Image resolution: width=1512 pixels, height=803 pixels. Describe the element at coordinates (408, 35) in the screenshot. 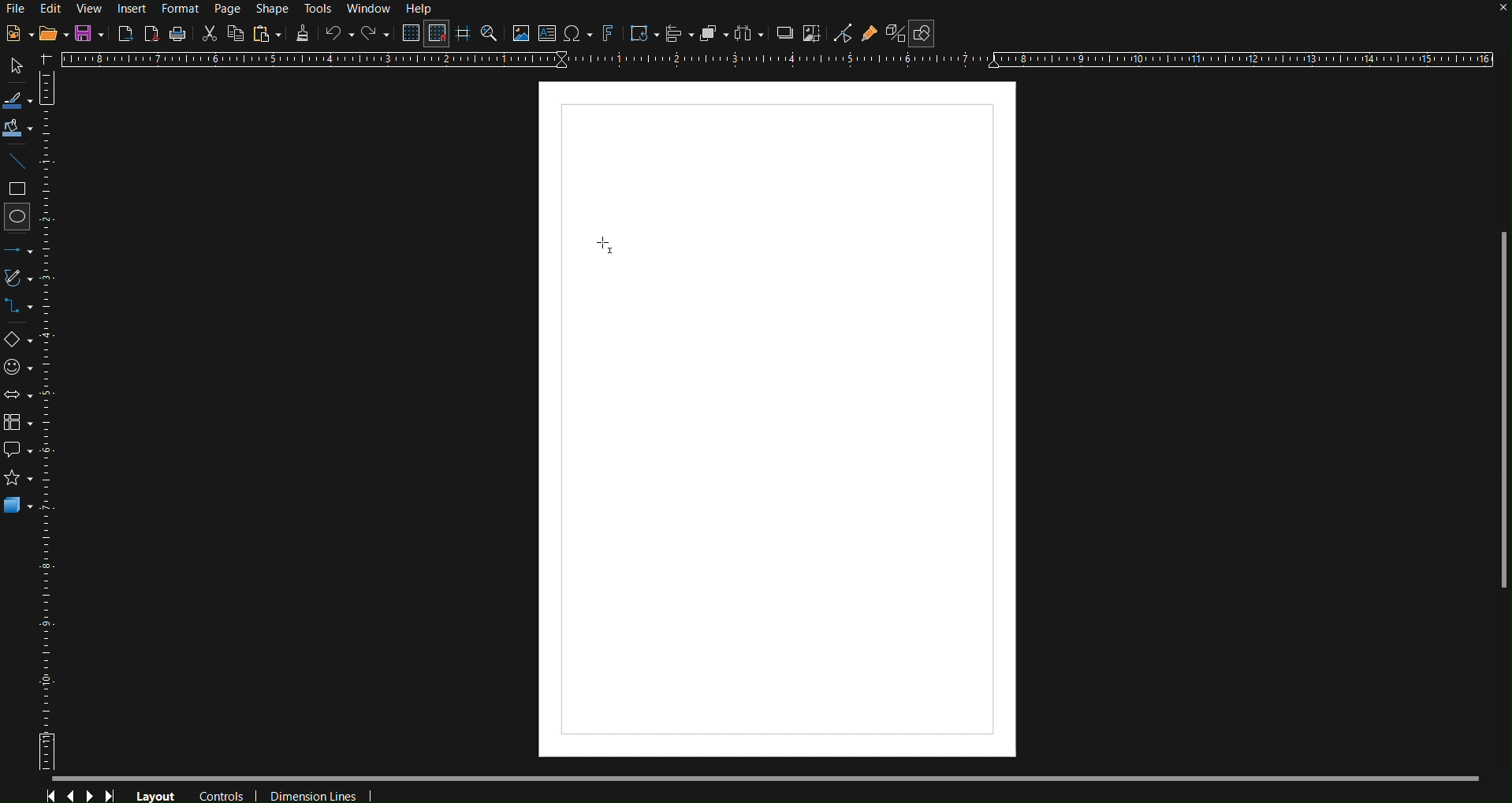

I see `Display Grid` at that location.